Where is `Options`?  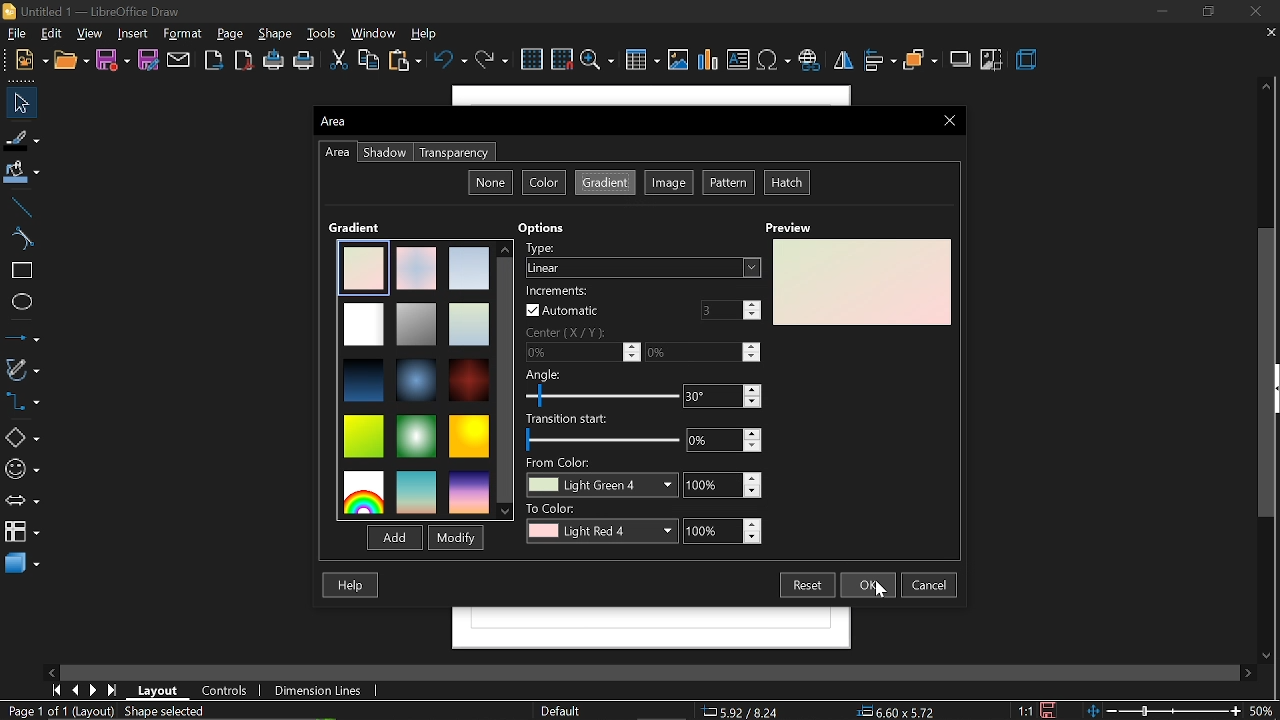
Options is located at coordinates (542, 228).